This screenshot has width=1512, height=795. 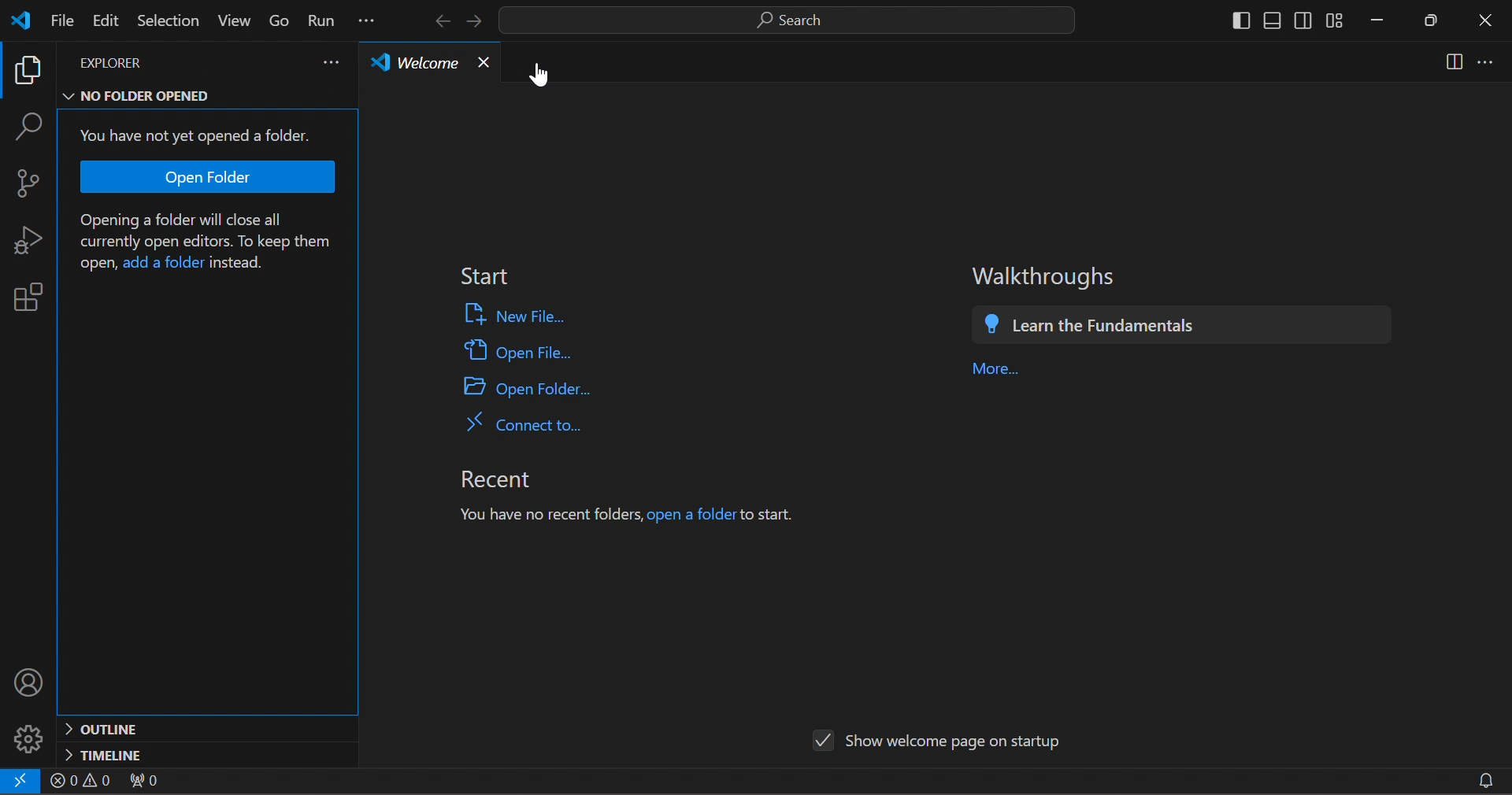 I want to click on opening a folder will close all currently open editors. To keep them open, add a folder instead, so click(x=213, y=243).